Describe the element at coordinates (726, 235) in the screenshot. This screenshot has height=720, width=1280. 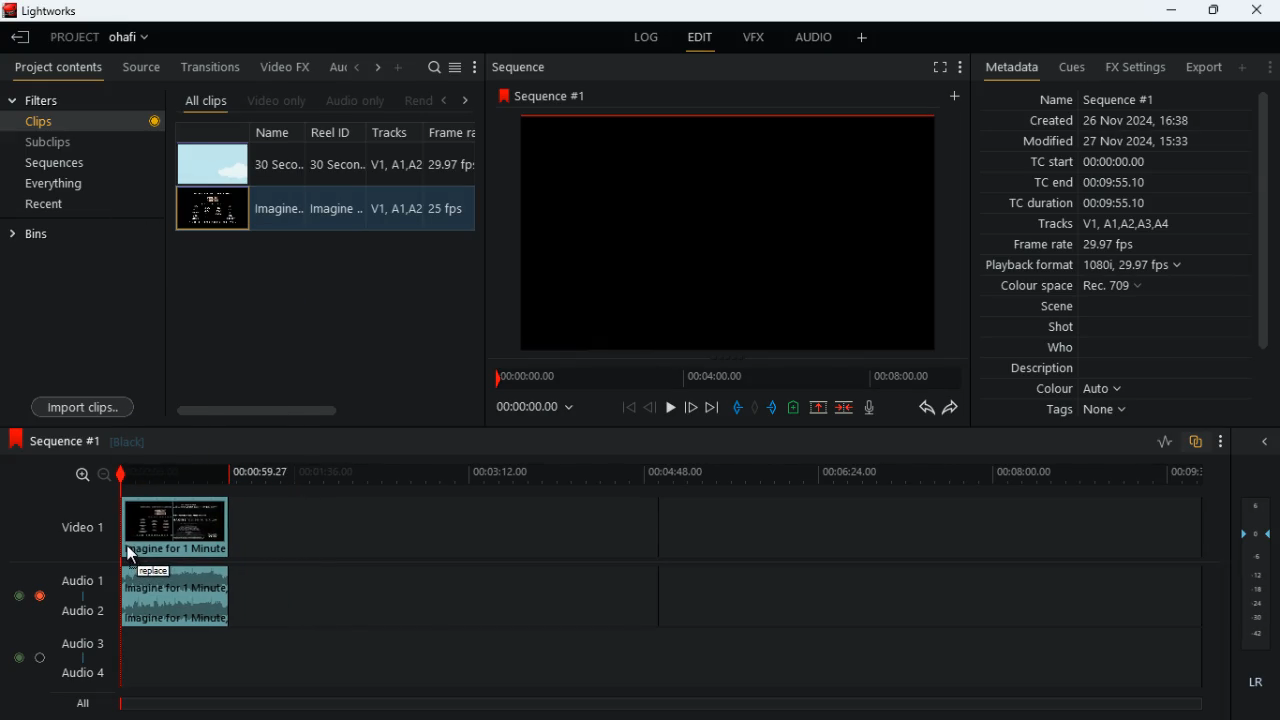
I see `videos` at that location.